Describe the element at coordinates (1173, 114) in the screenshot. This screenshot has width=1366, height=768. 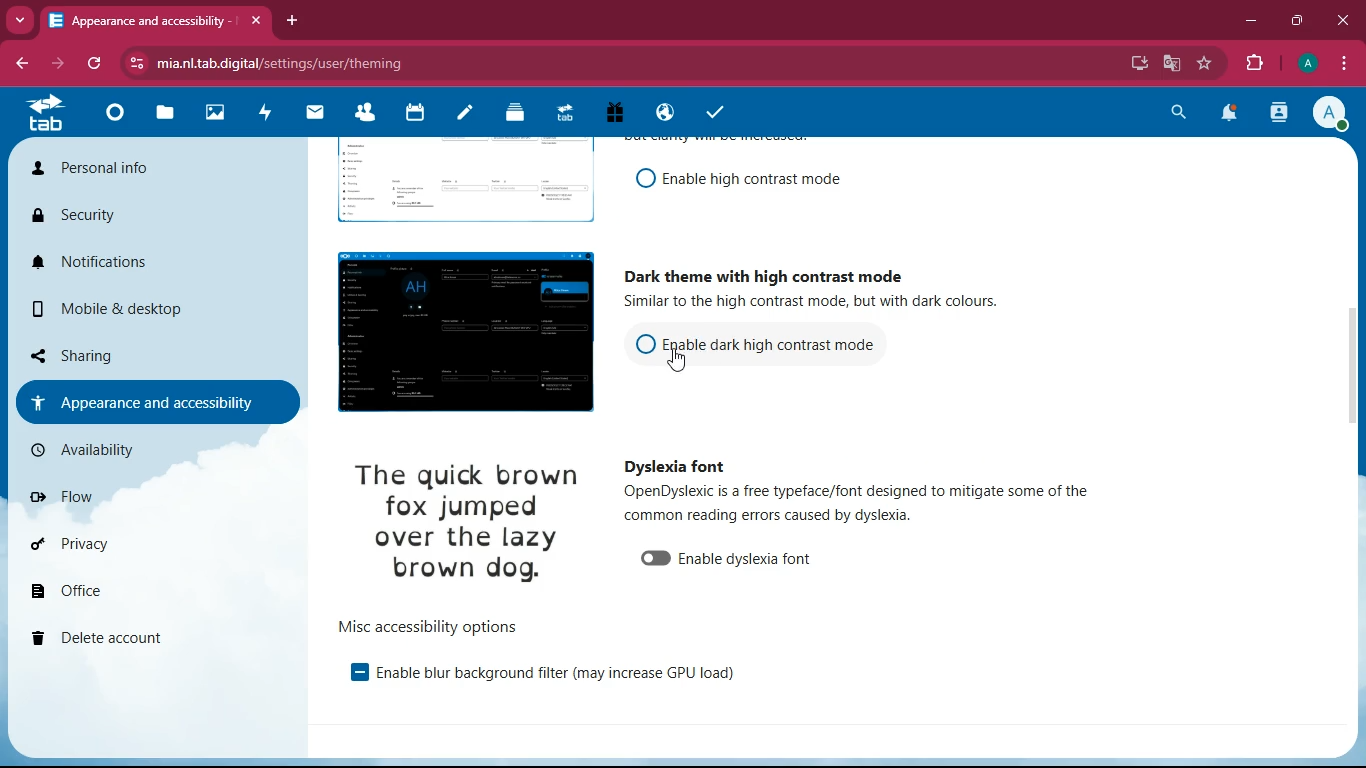
I see `search` at that location.